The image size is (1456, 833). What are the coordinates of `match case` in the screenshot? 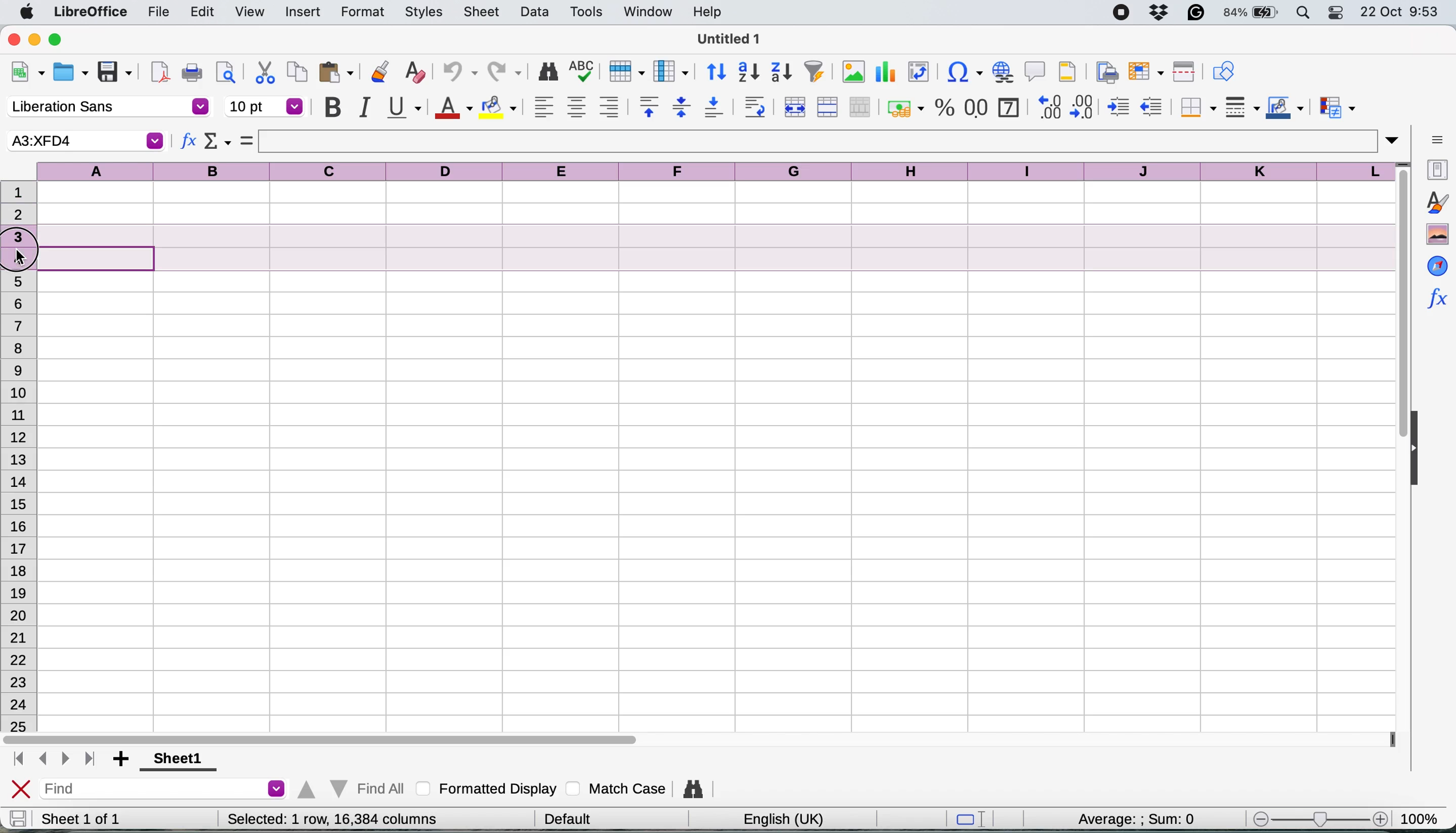 It's located at (616, 788).